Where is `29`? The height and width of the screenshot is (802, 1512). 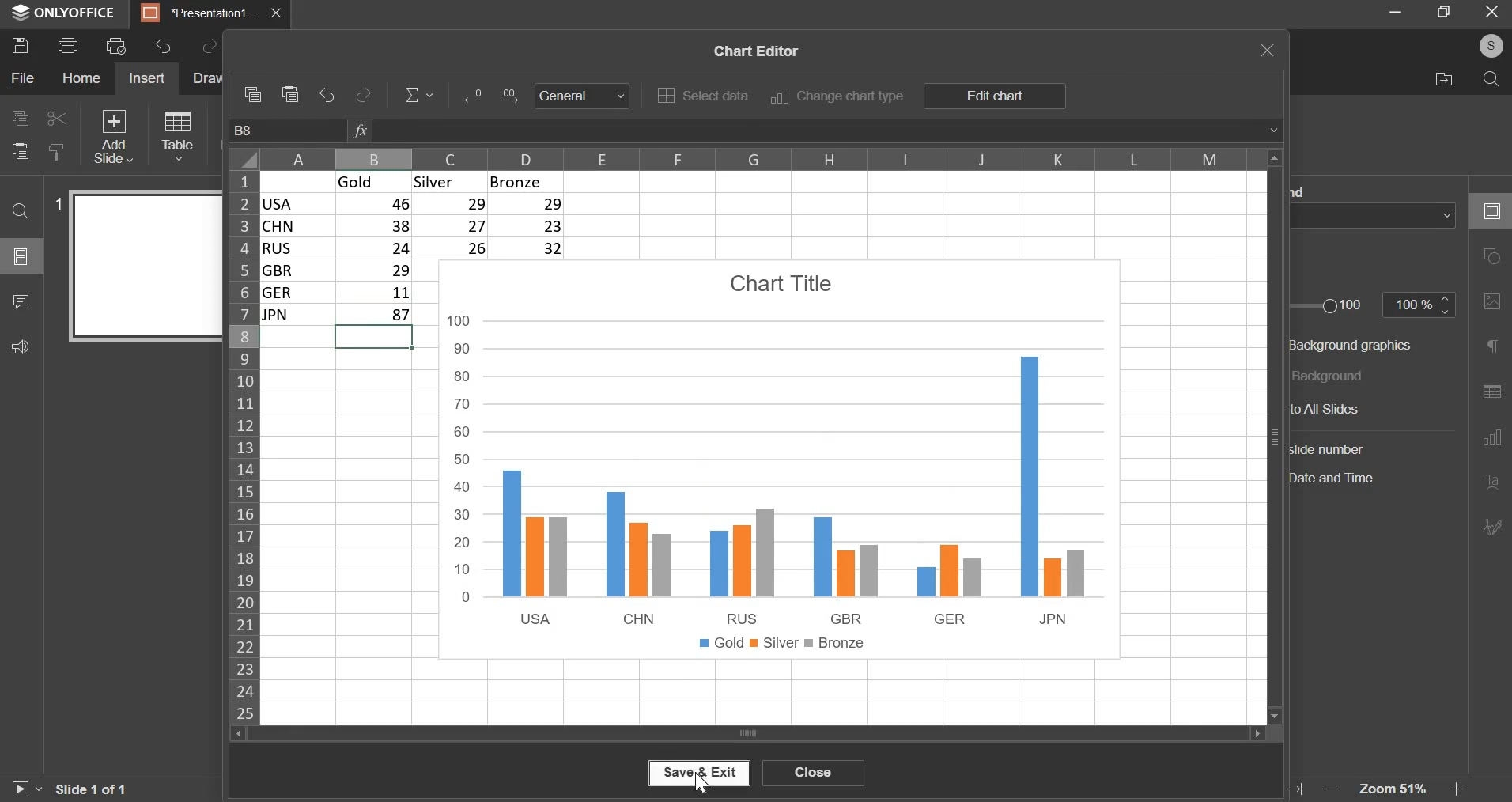
29 is located at coordinates (530, 203).